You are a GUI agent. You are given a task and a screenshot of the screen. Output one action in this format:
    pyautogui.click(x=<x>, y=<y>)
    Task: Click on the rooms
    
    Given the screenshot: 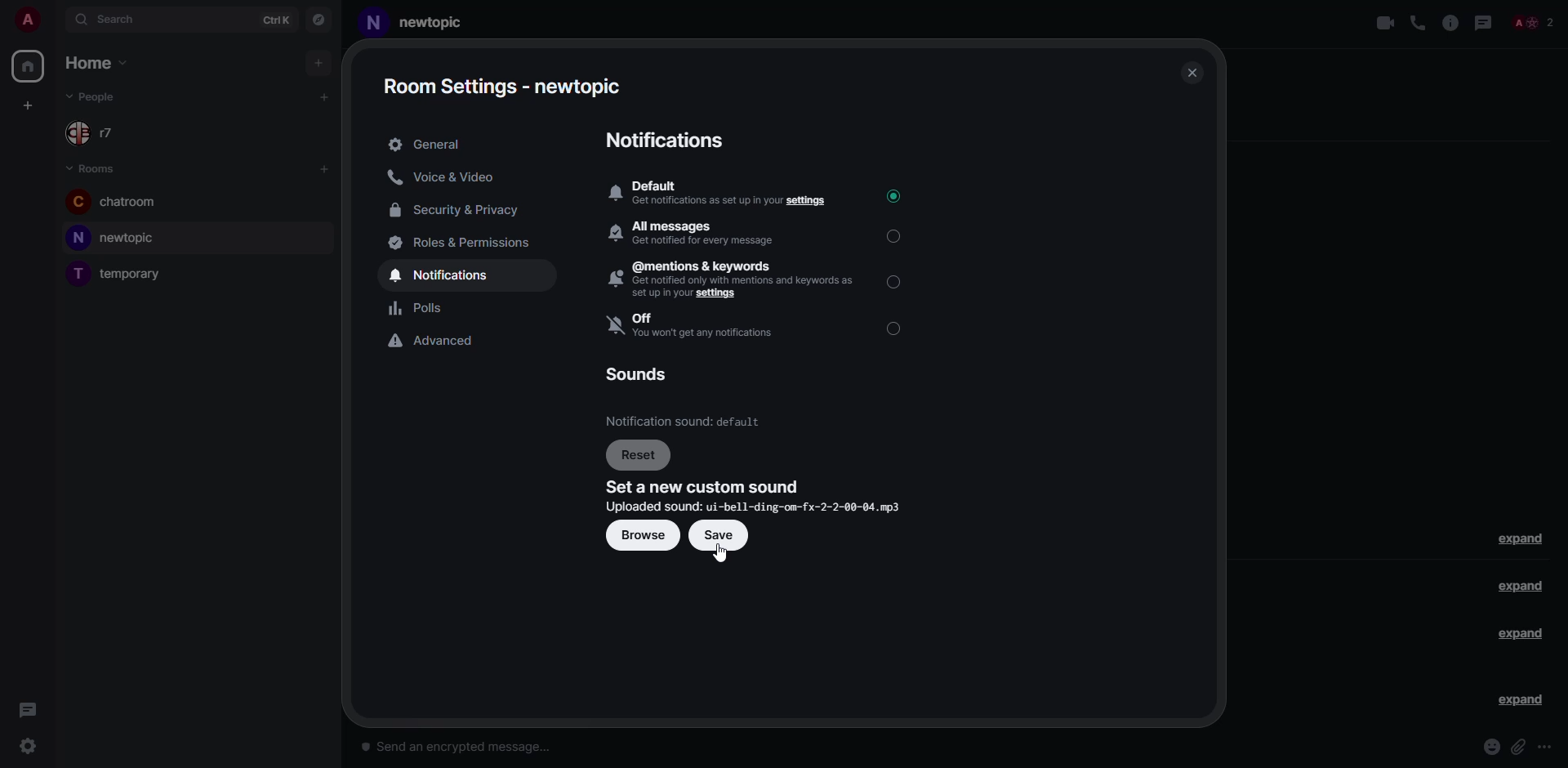 What is the action you would take?
    pyautogui.click(x=94, y=168)
    